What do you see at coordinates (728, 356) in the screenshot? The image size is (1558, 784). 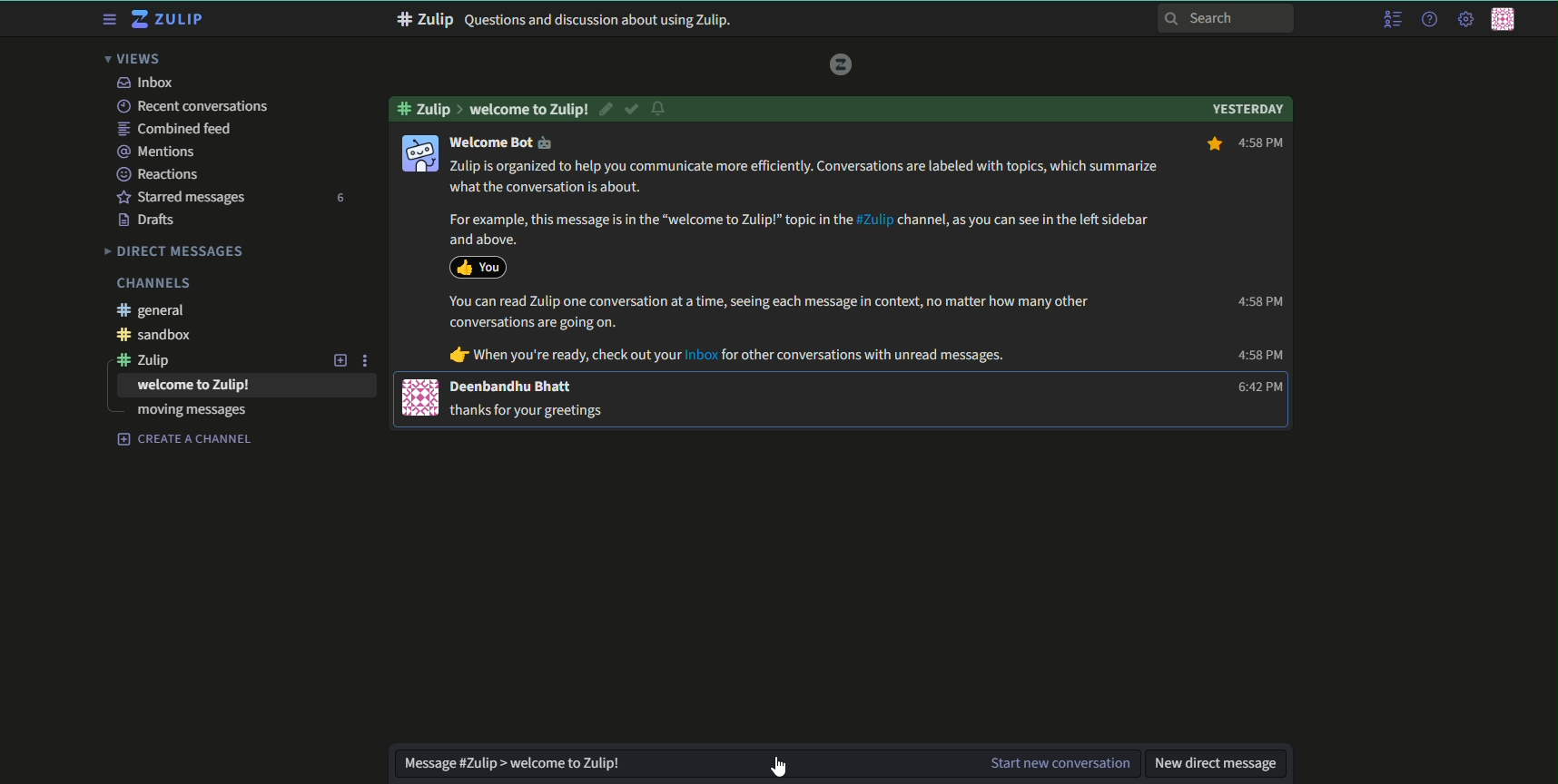 I see `@ When you're ready, check out your Inbox for other conversations with unread messages.` at bounding box center [728, 356].